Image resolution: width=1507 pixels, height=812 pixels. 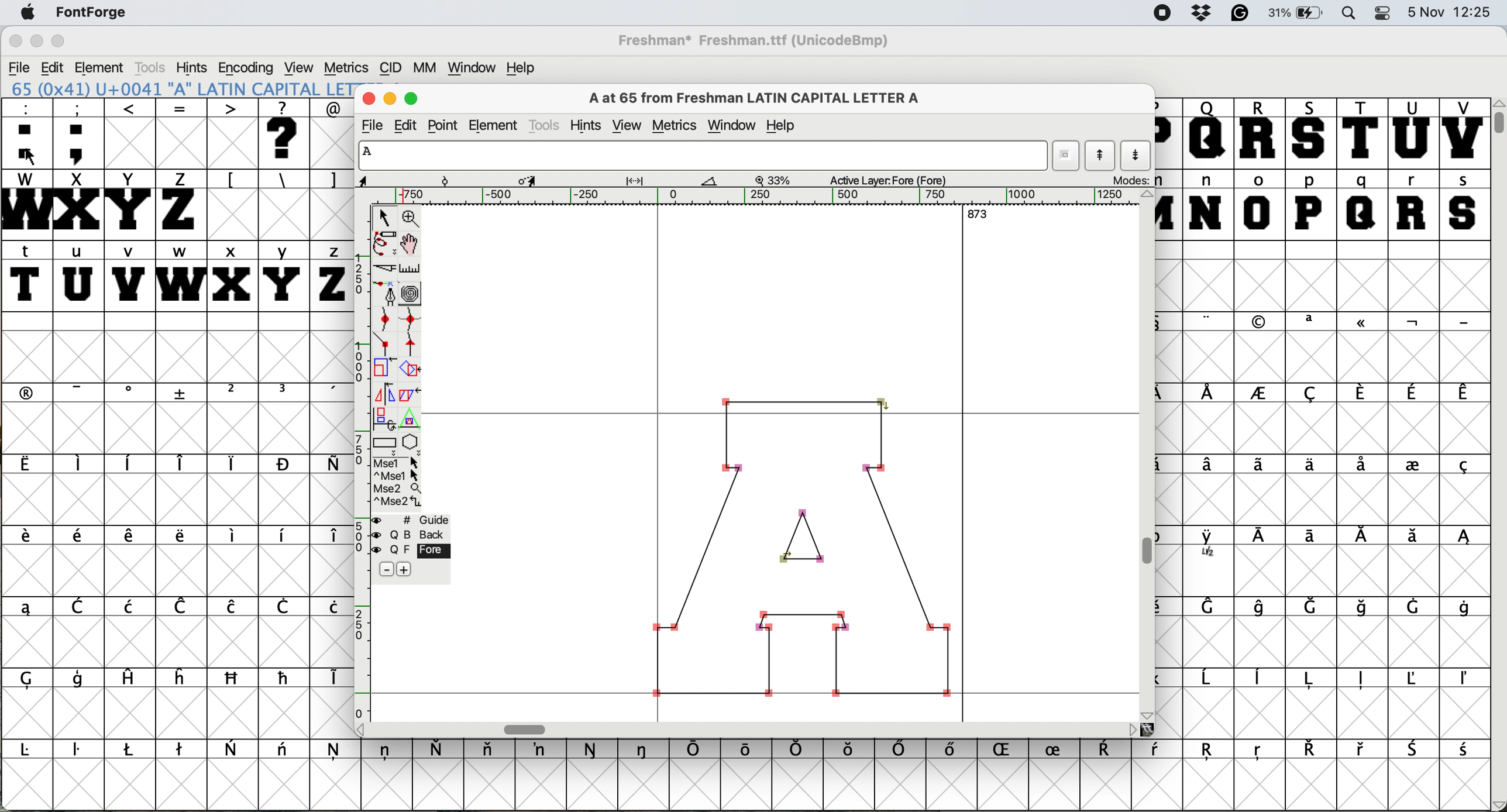 I want to click on o, so click(x=1260, y=204).